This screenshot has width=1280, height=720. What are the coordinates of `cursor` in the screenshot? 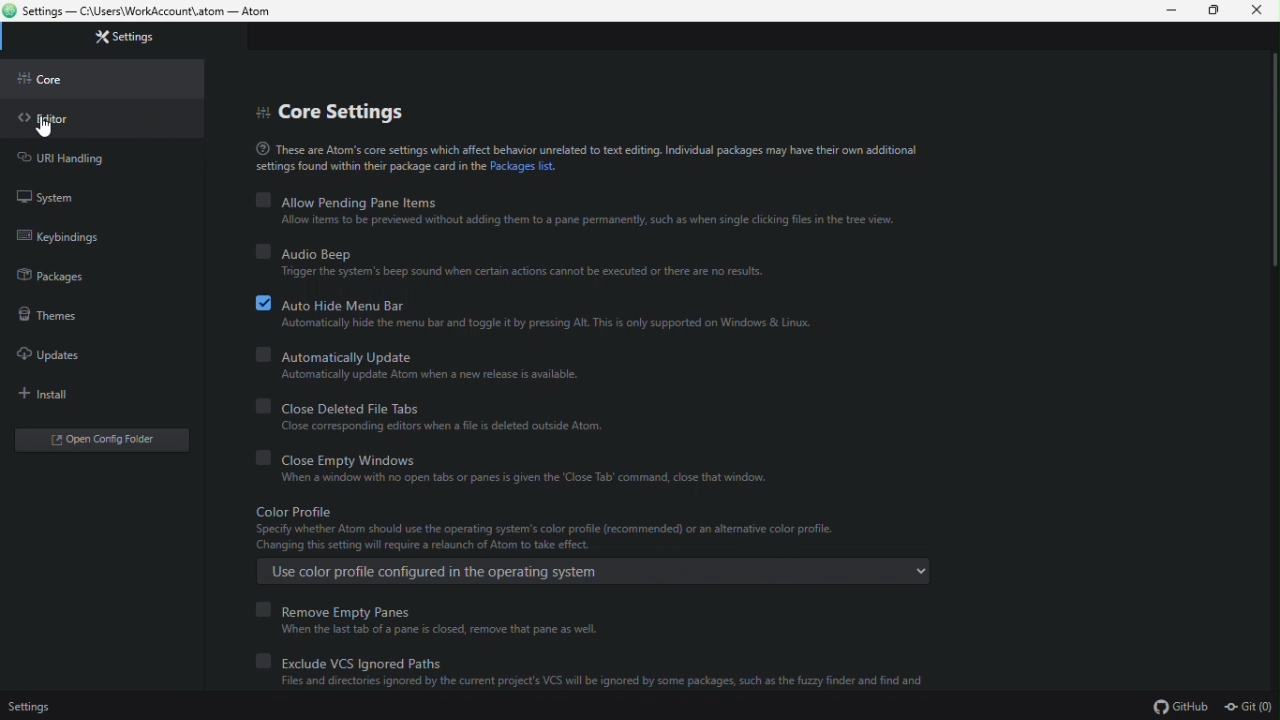 It's located at (48, 127).